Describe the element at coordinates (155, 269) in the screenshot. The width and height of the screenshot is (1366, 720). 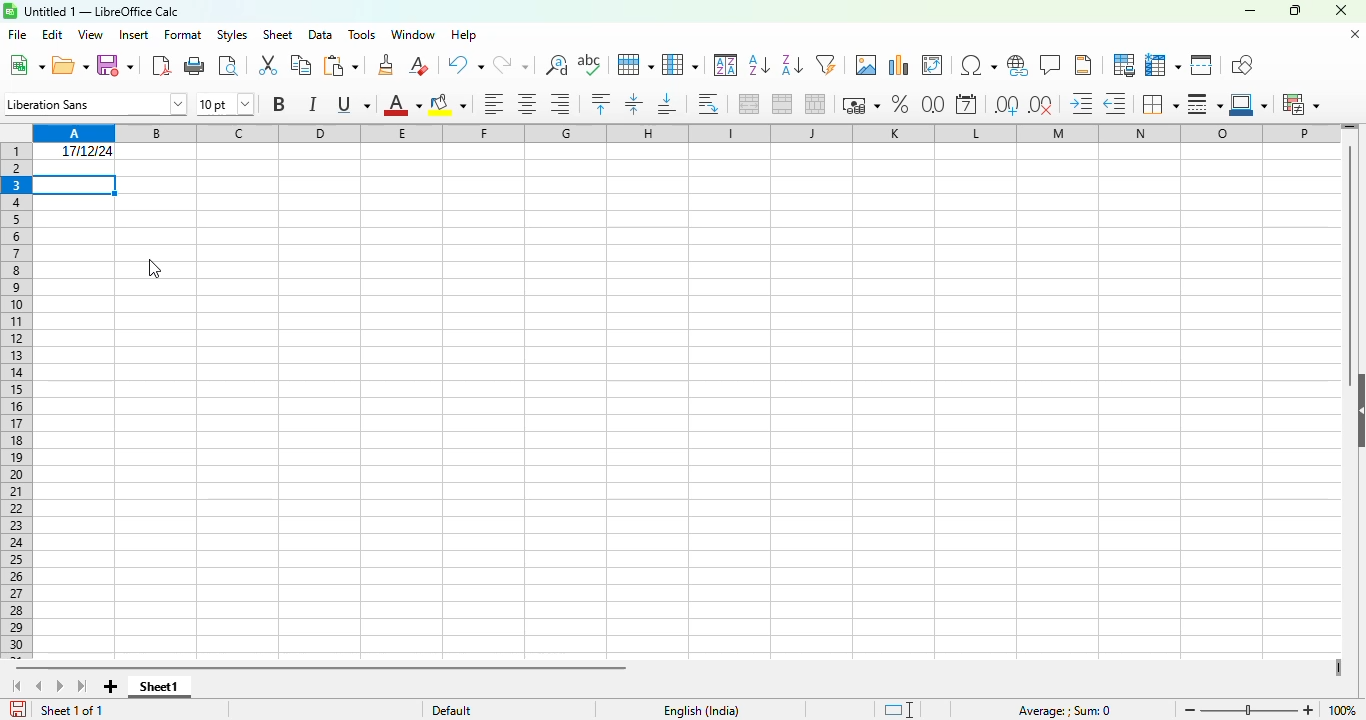
I see `cursor` at that location.